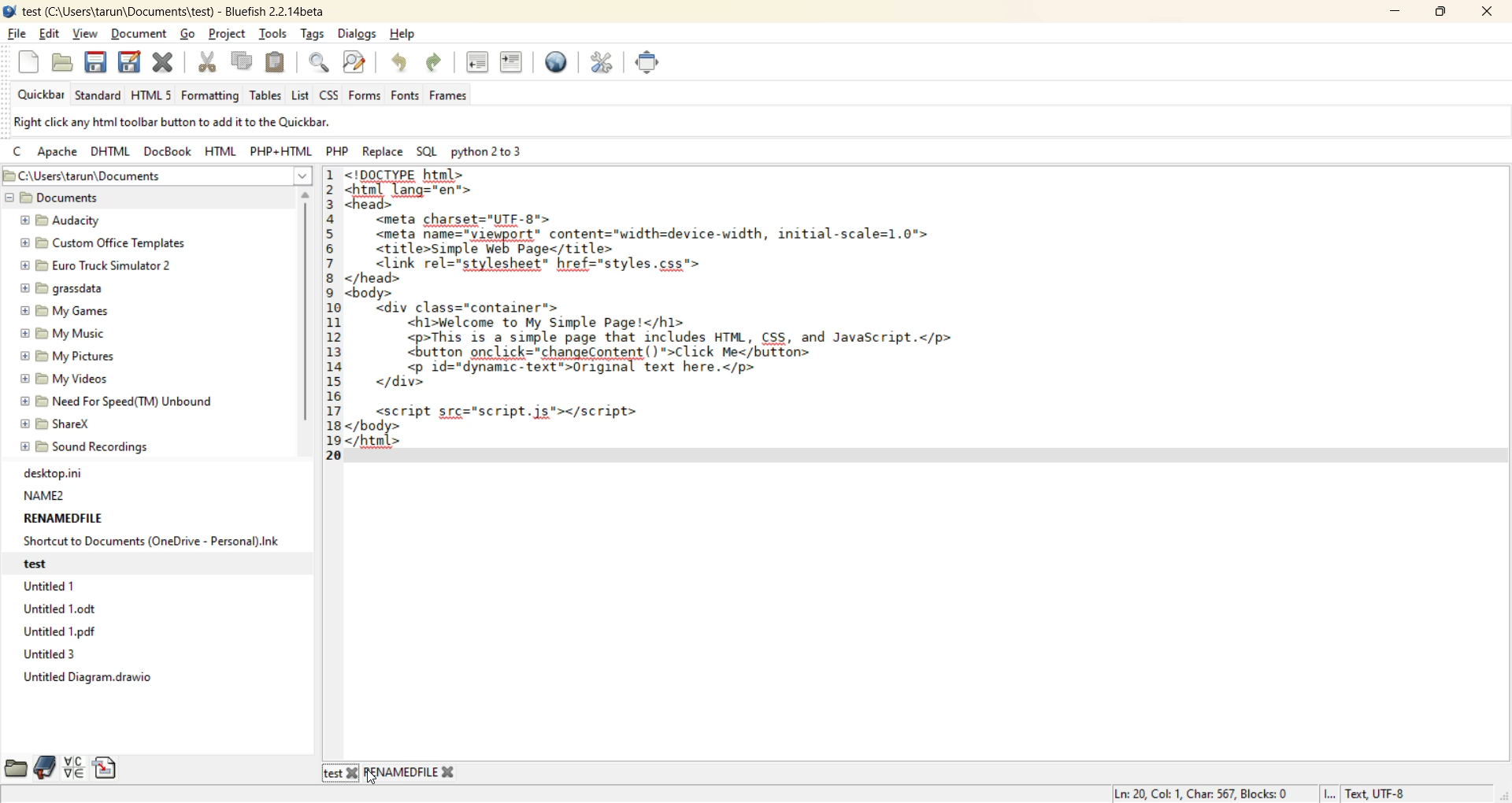 The height and width of the screenshot is (803, 1512). What do you see at coordinates (220, 153) in the screenshot?
I see `html` at bounding box center [220, 153].